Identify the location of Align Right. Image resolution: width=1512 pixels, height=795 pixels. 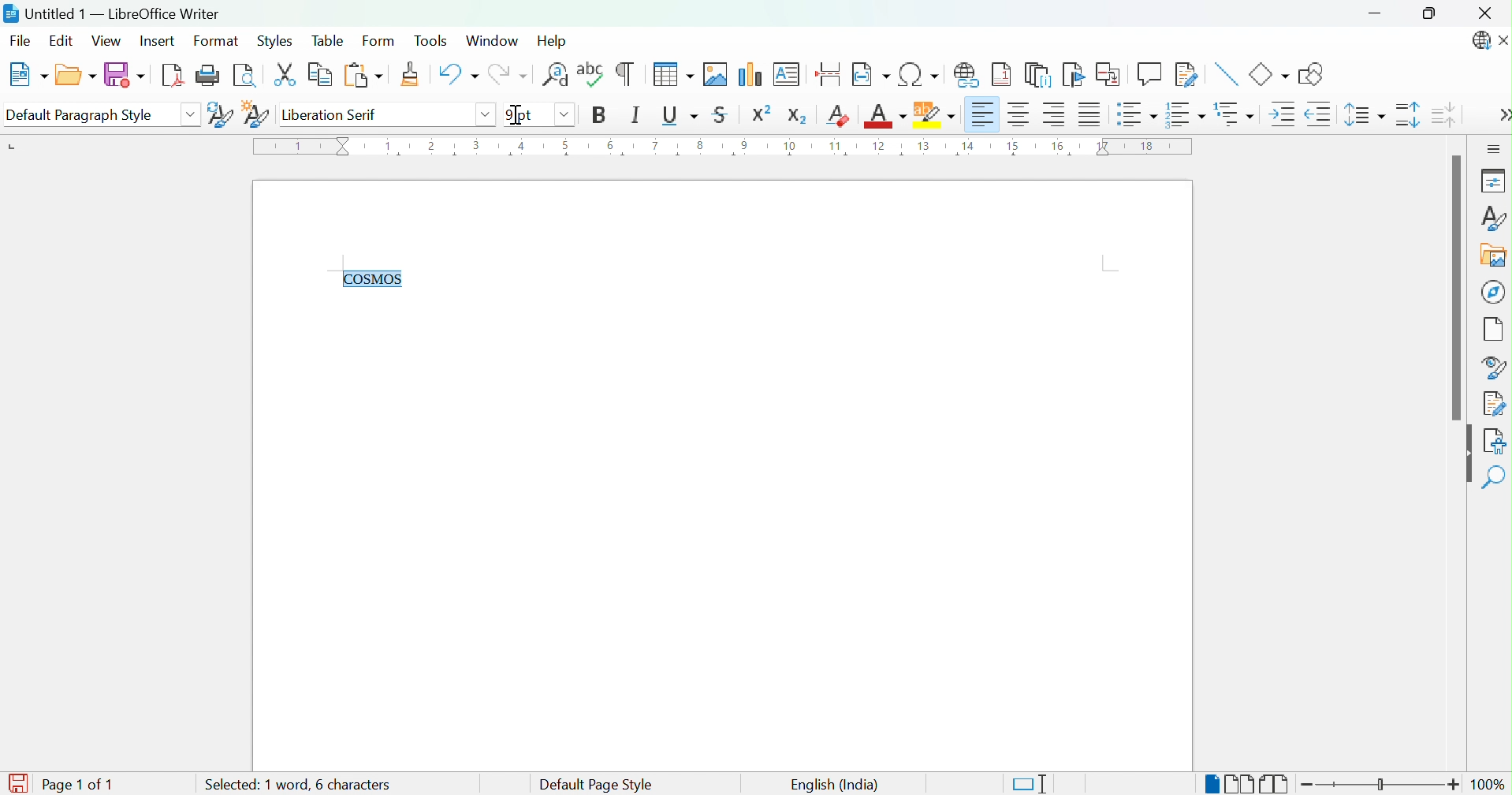
(1055, 115).